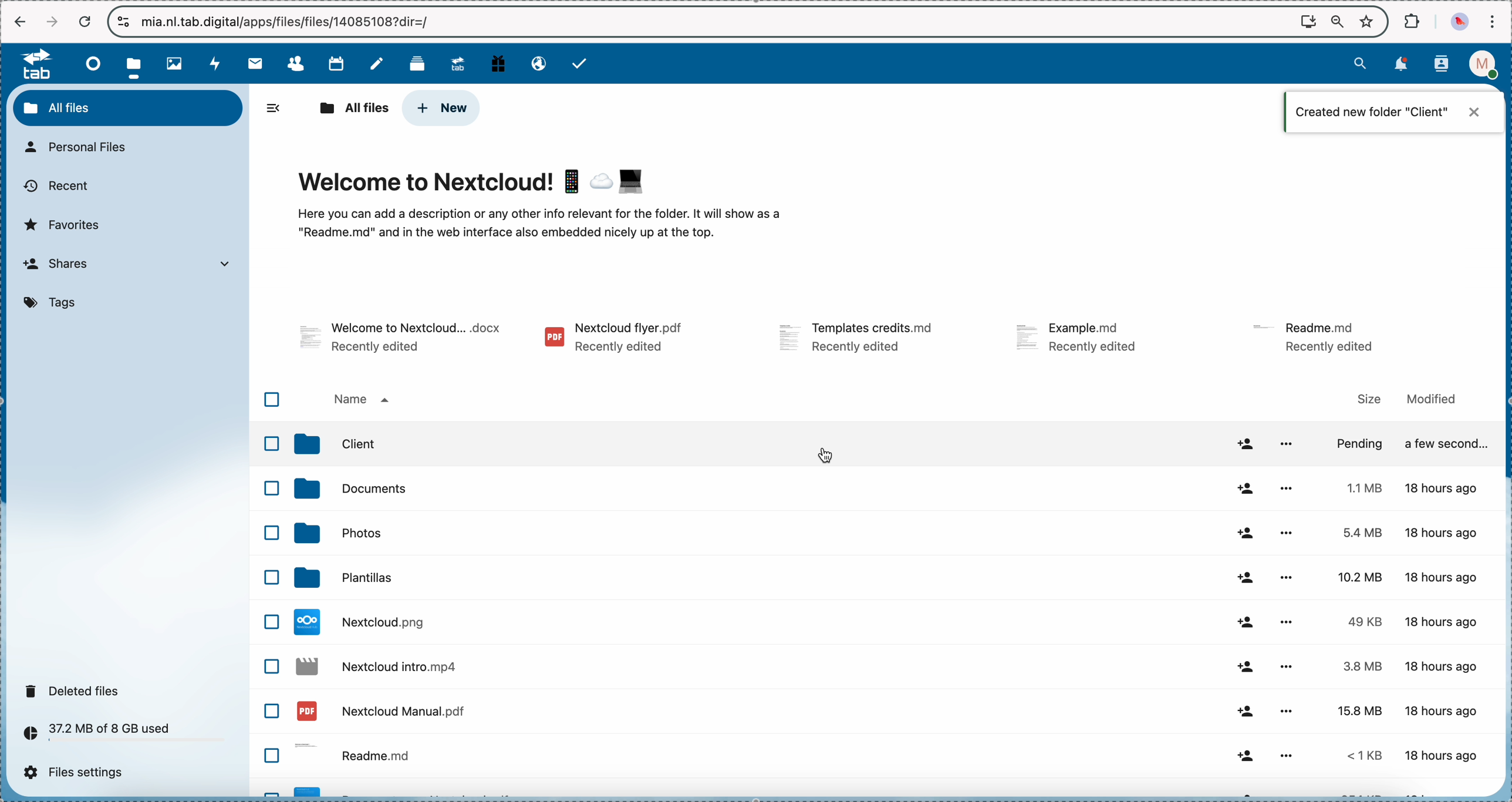  What do you see at coordinates (137, 63) in the screenshot?
I see `click on files` at bounding box center [137, 63].